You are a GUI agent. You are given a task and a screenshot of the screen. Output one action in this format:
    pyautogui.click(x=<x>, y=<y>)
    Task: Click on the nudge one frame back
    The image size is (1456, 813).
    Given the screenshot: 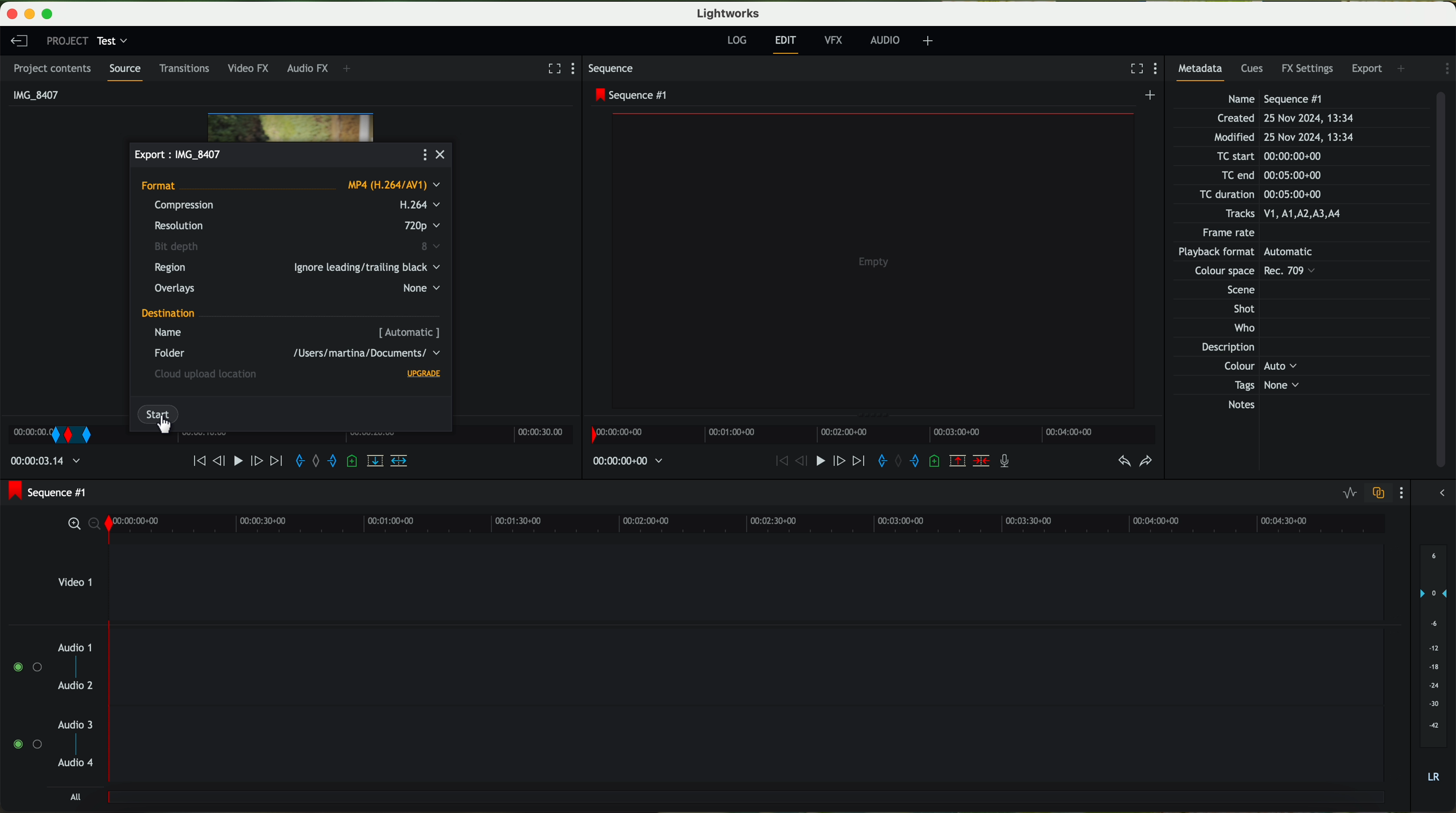 What is the action you would take?
    pyautogui.click(x=794, y=464)
    